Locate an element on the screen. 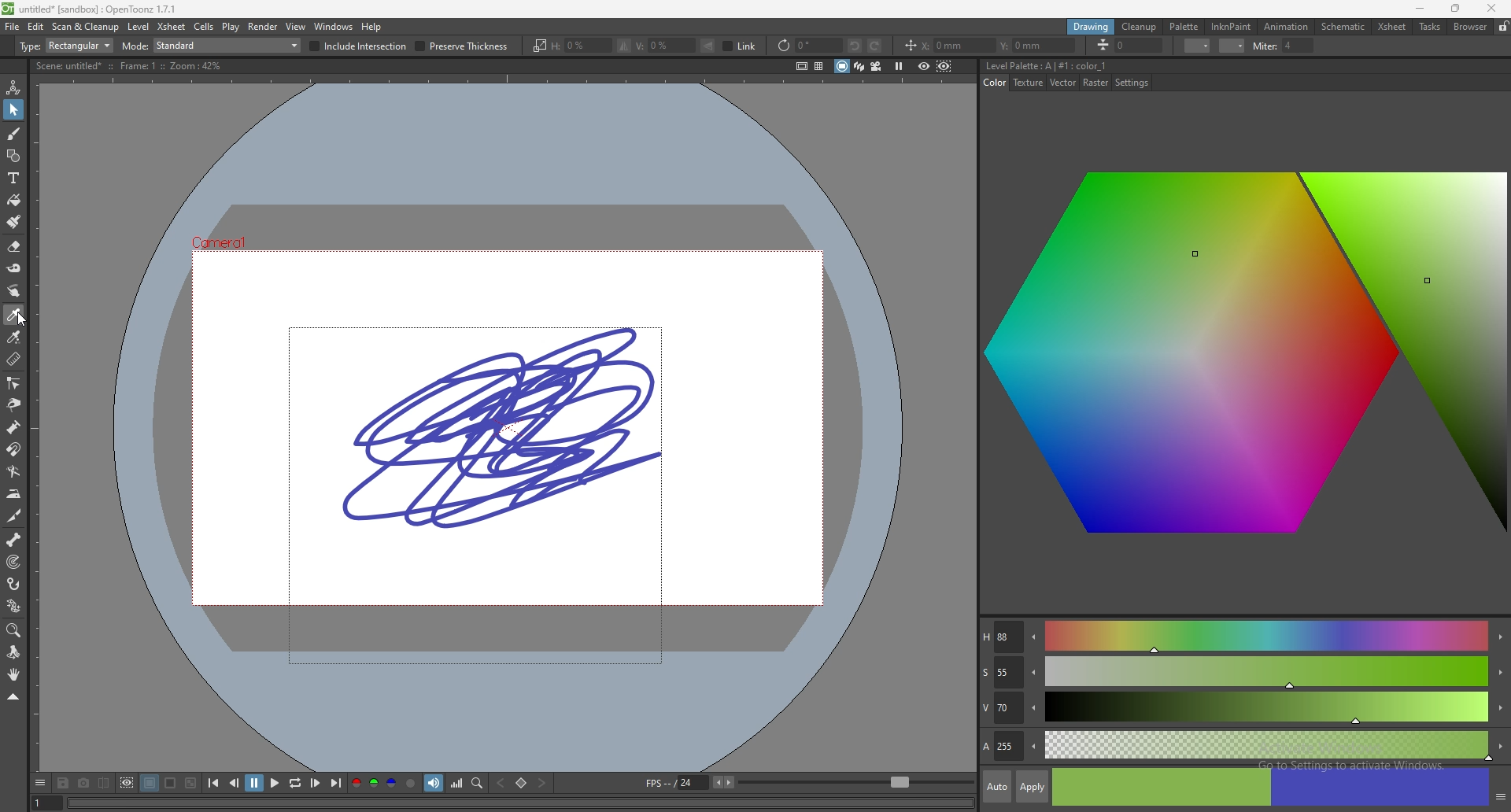 This screenshot has width=1511, height=812. edit is located at coordinates (36, 28).